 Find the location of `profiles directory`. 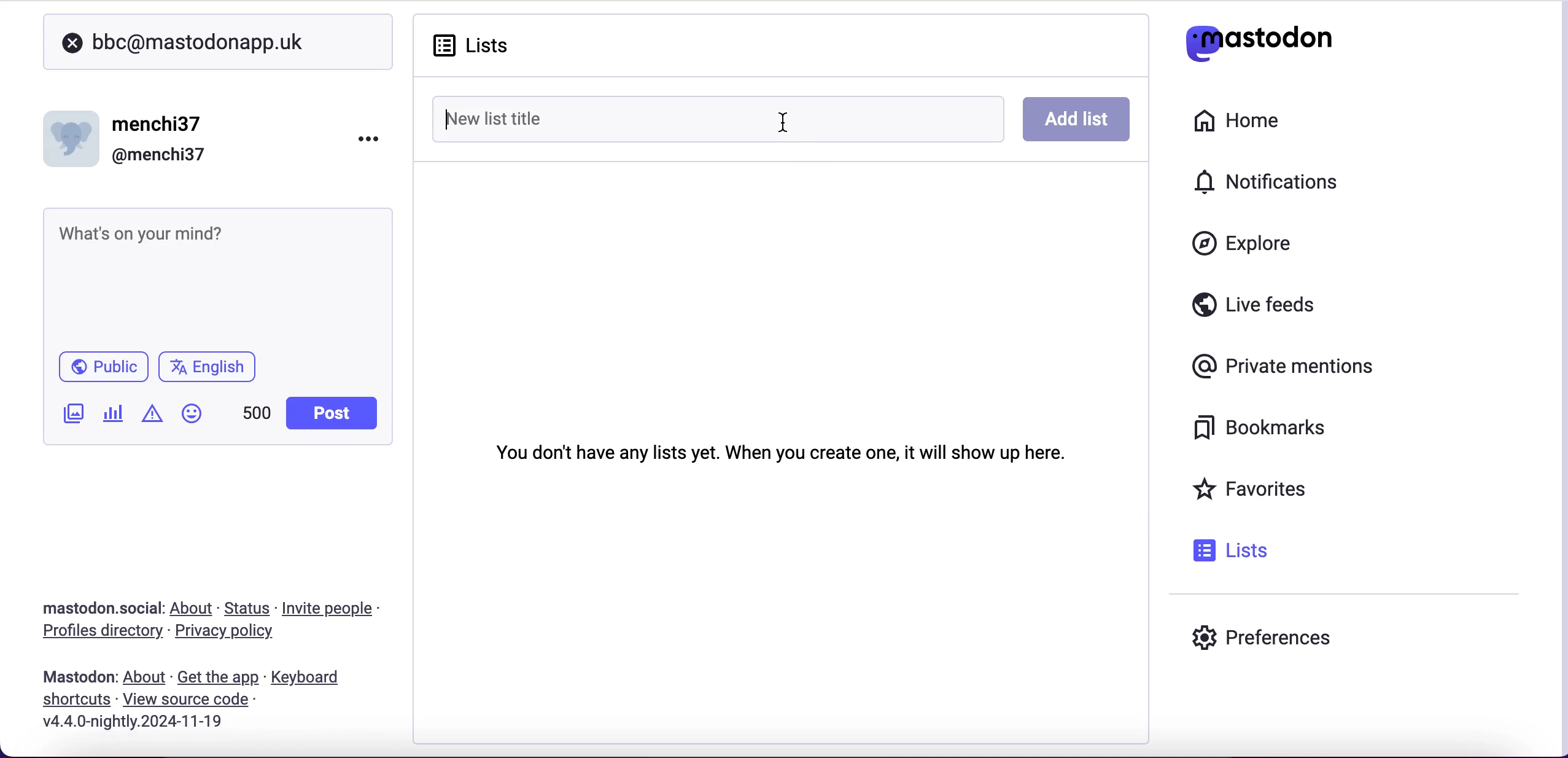

profiles directory is located at coordinates (95, 633).